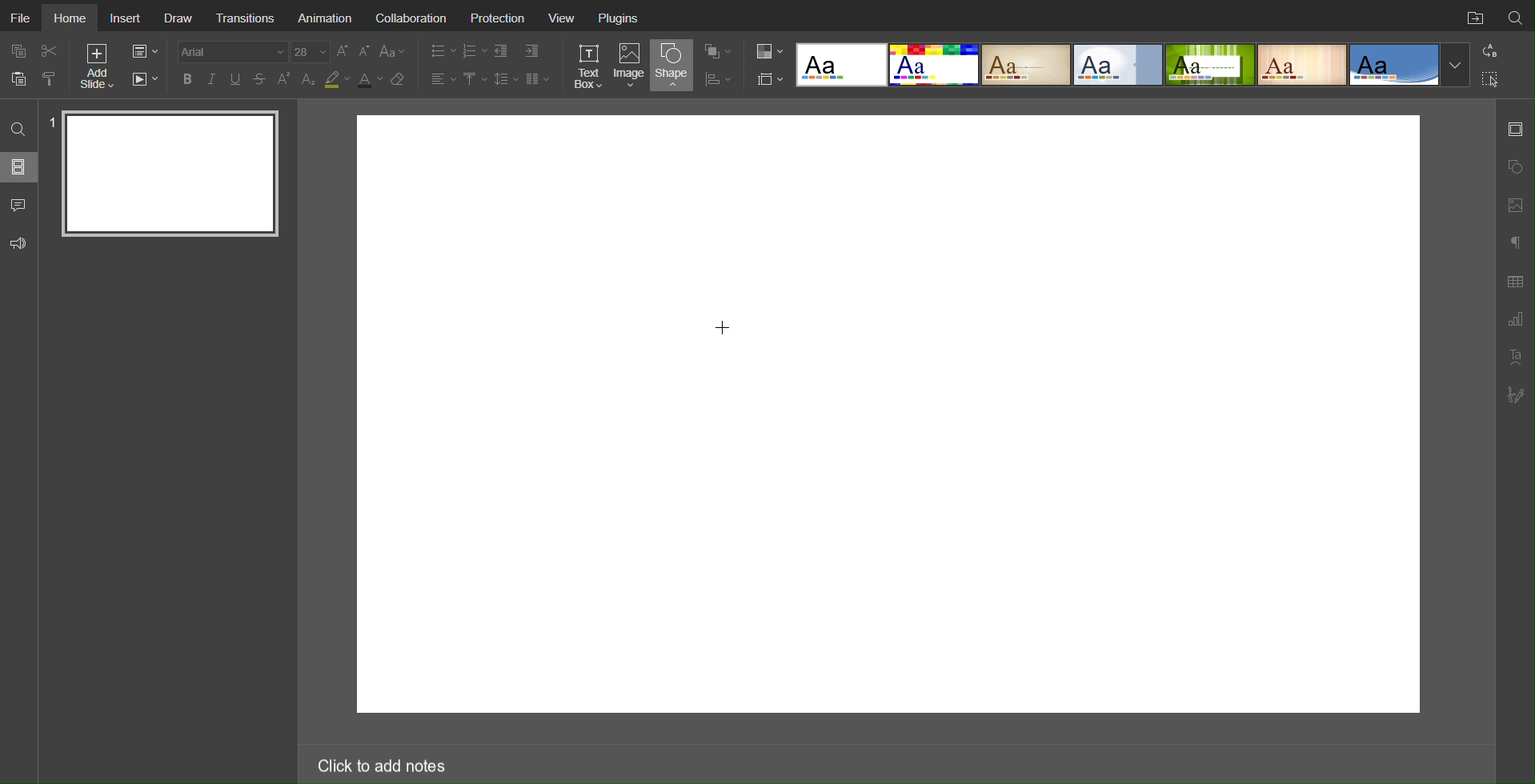 This screenshot has width=1535, height=784. What do you see at coordinates (1515, 320) in the screenshot?
I see `Paragraph Settings` at bounding box center [1515, 320].